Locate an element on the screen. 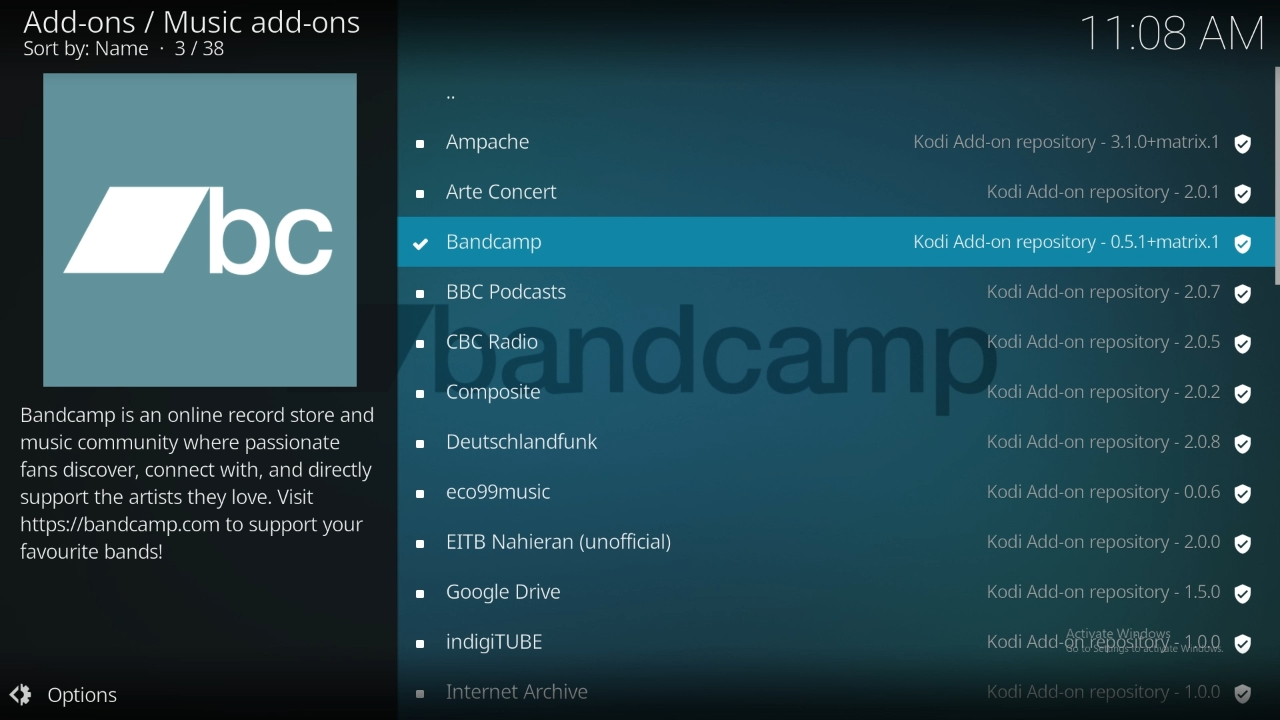  installed add on is located at coordinates (833, 243).